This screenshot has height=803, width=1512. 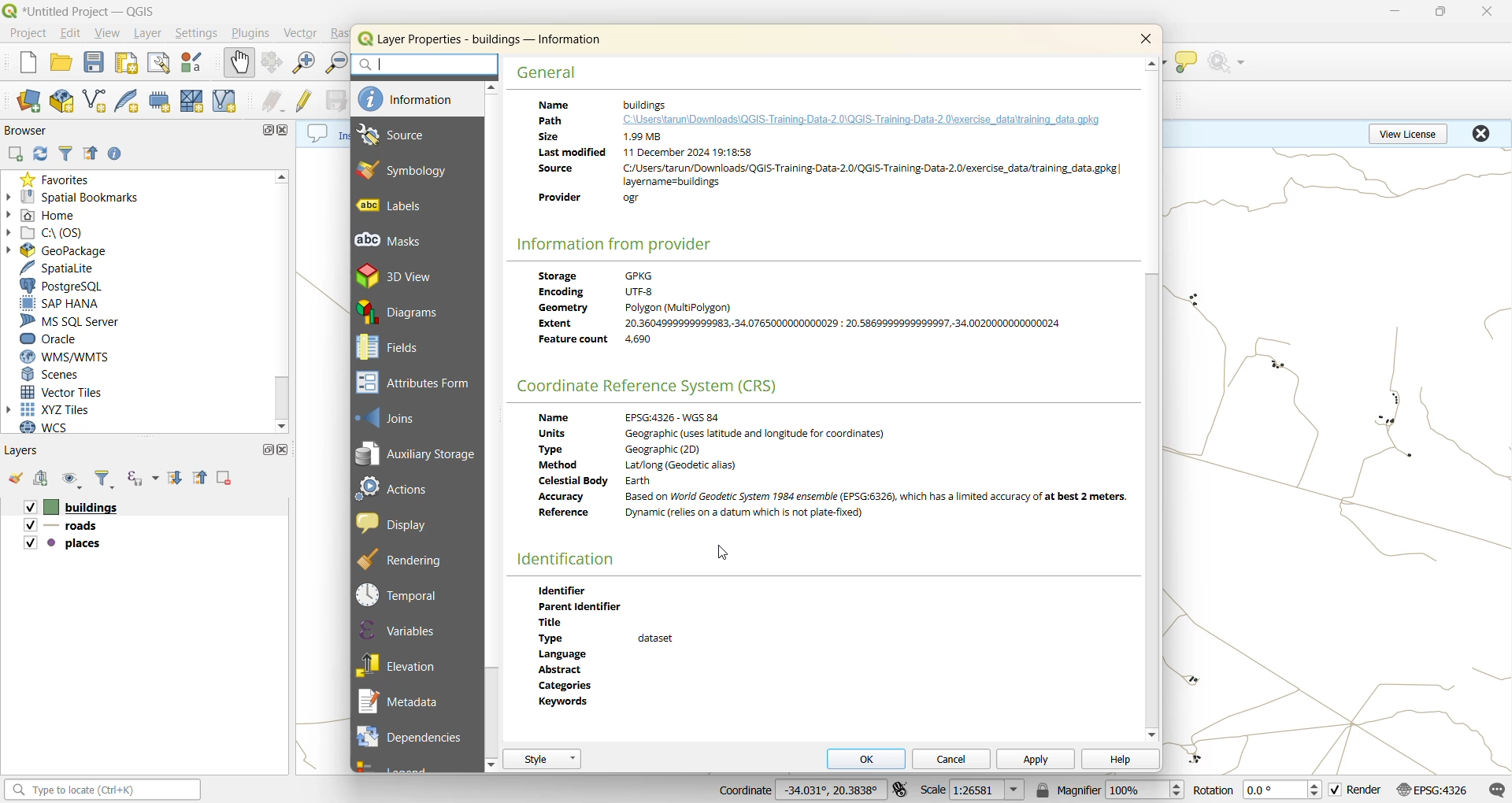 What do you see at coordinates (1111, 789) in the screenshot?
I see `magnifier` at bounding box center [1111, 789].